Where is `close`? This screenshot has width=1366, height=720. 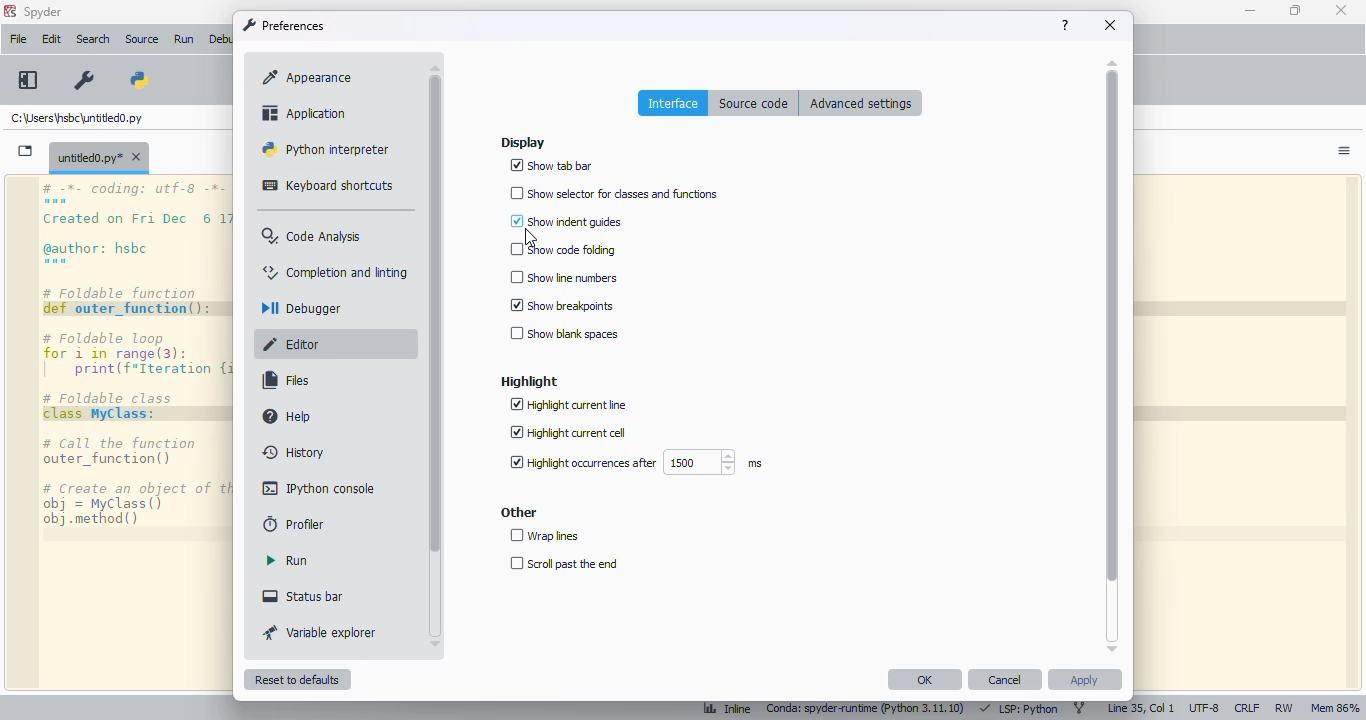 close is located at coordinates (1341, 10).